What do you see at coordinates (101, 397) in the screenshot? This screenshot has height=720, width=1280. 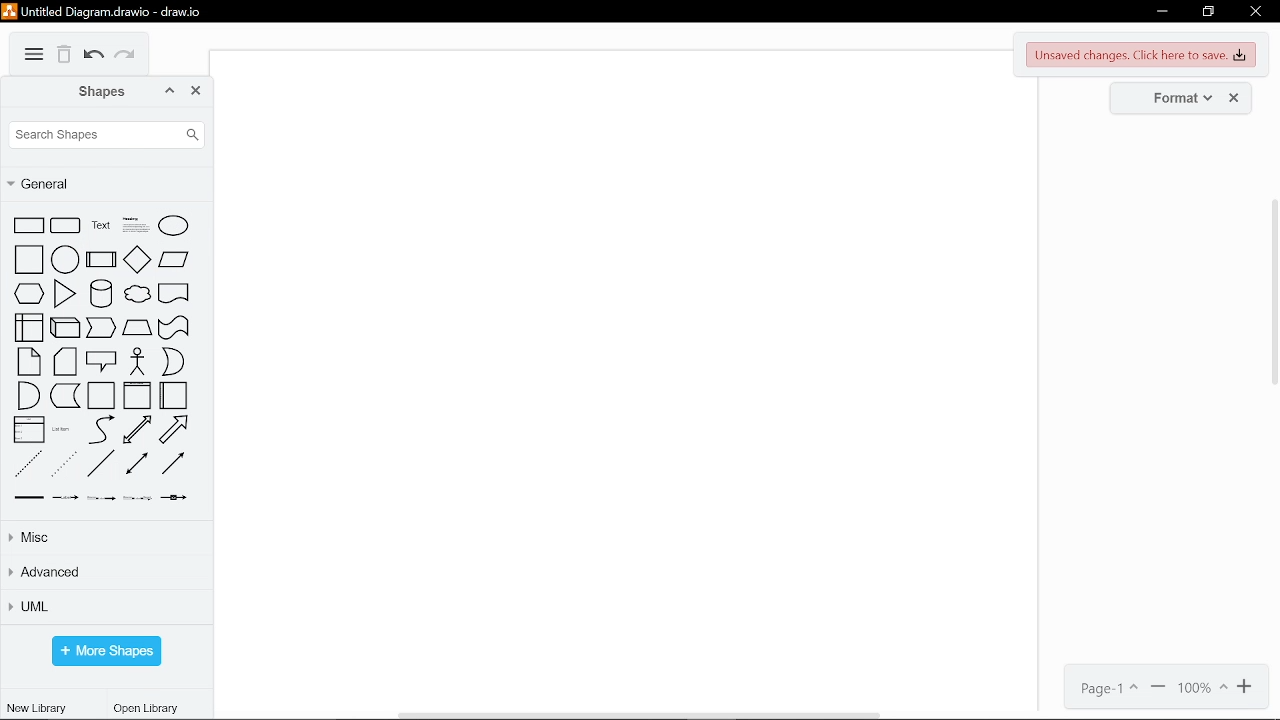 I see `container` at bounding box center [101, 397].